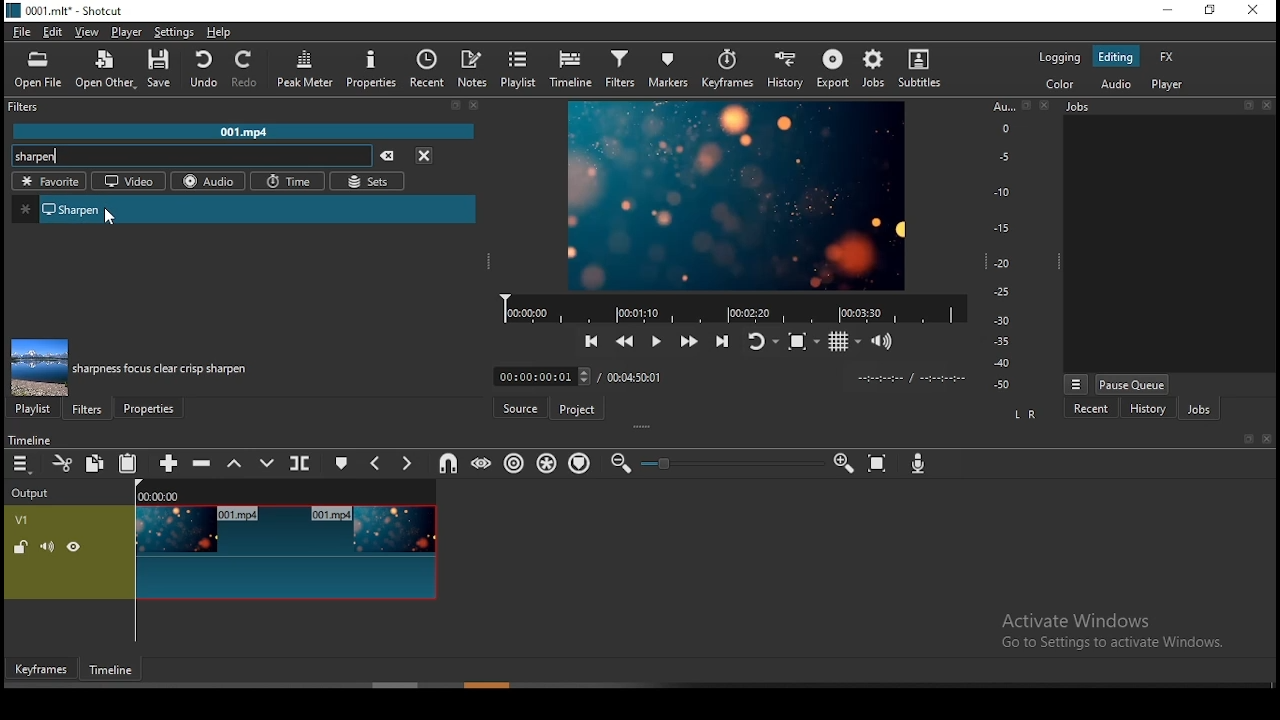 The height and width of the screenshot is (720, 1280). Describe the element at coordinates (1167, 55) in the screenshot. I see `fx` at that location.